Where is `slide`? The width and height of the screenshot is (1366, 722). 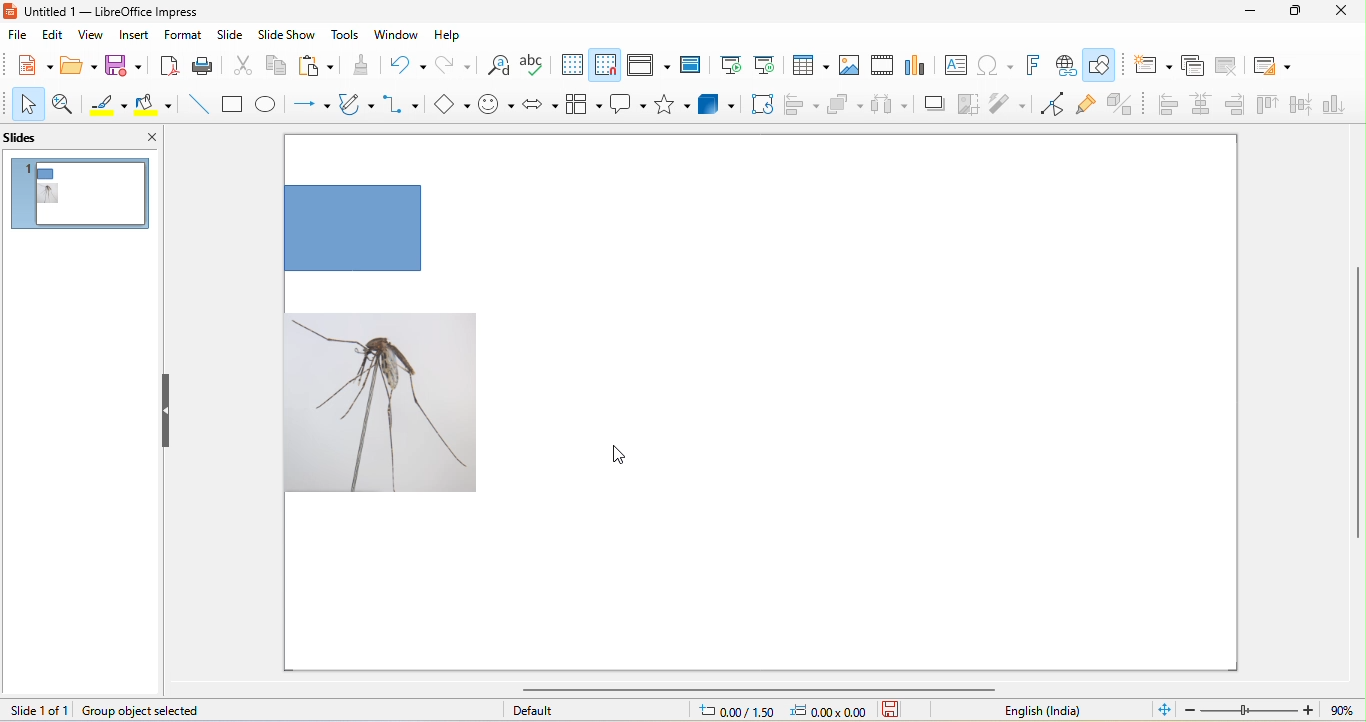 slide is located at coordinates (234, 36).